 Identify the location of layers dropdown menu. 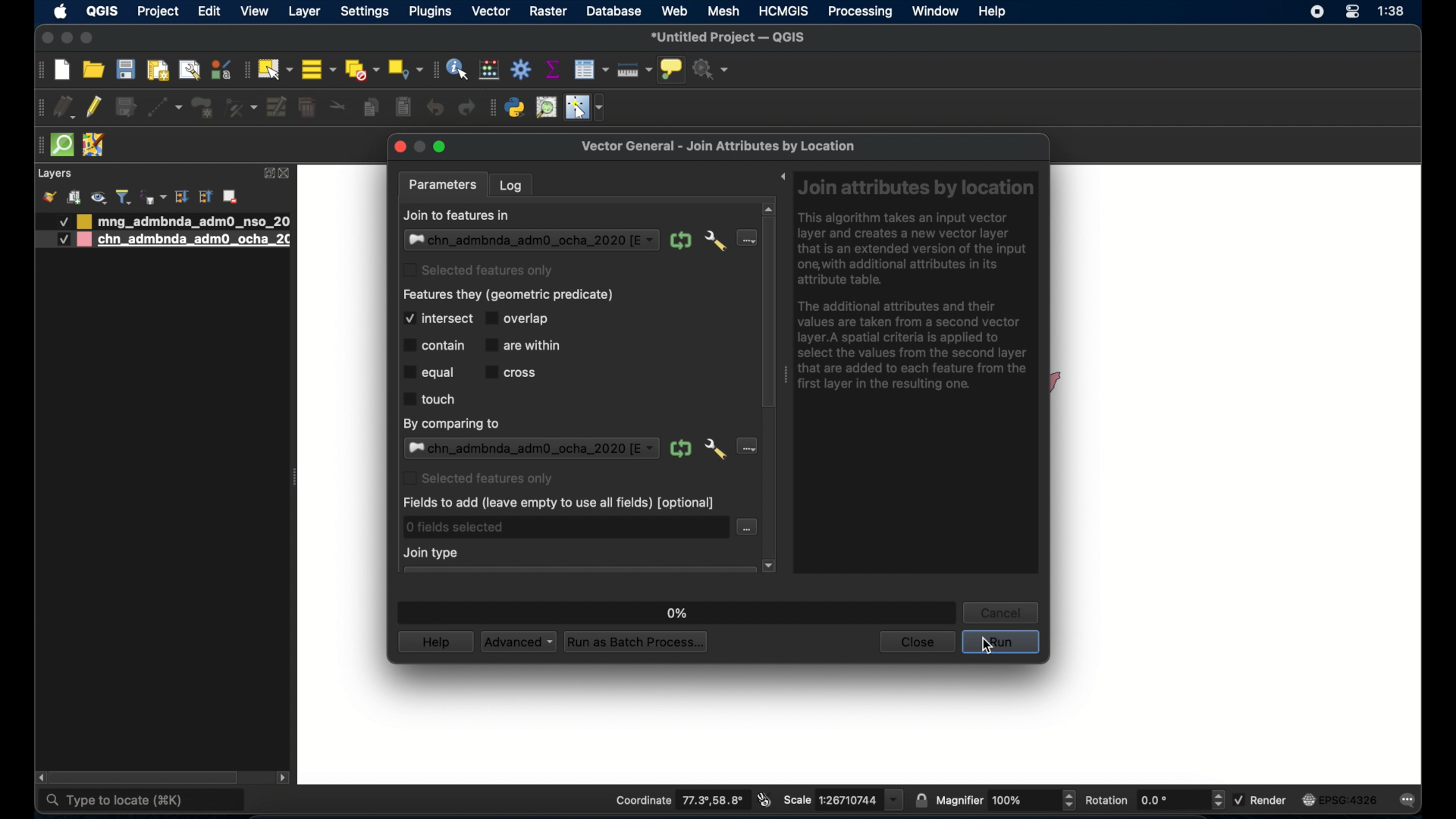
(532, 448).